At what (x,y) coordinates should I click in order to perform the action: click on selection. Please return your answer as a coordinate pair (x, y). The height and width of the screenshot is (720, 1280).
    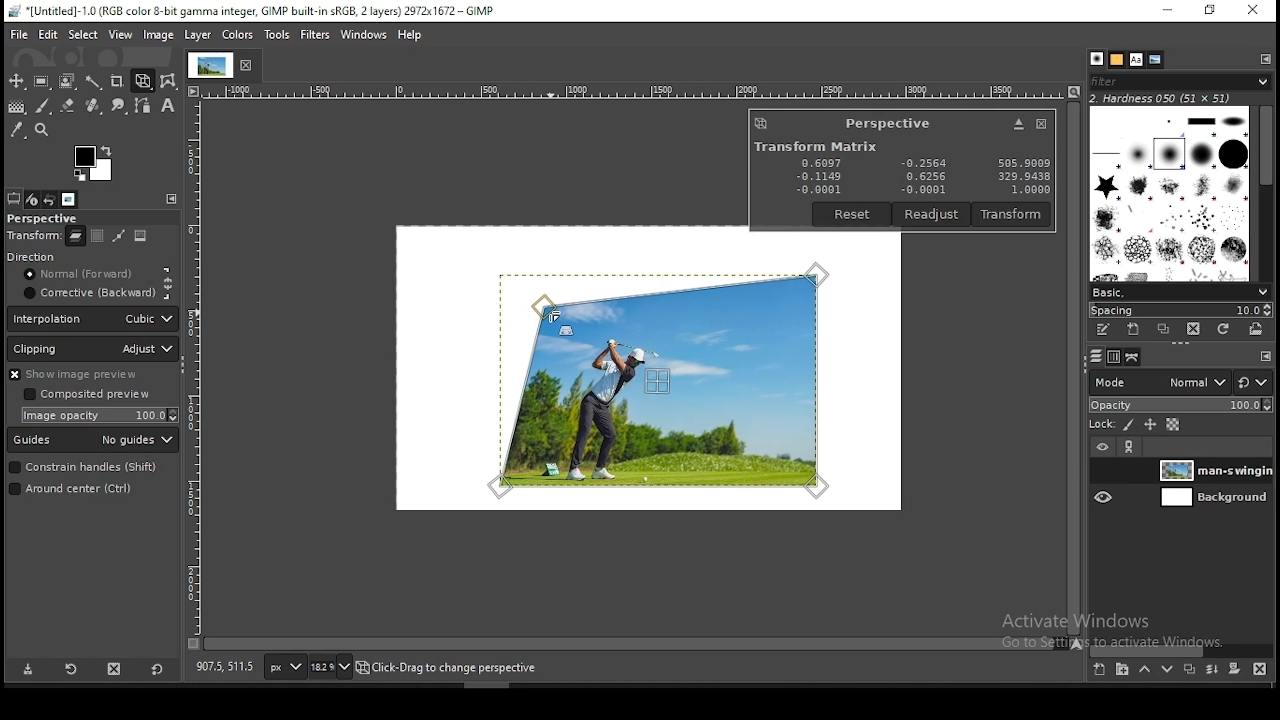
    Looking at the image, I should click on (120, 236).